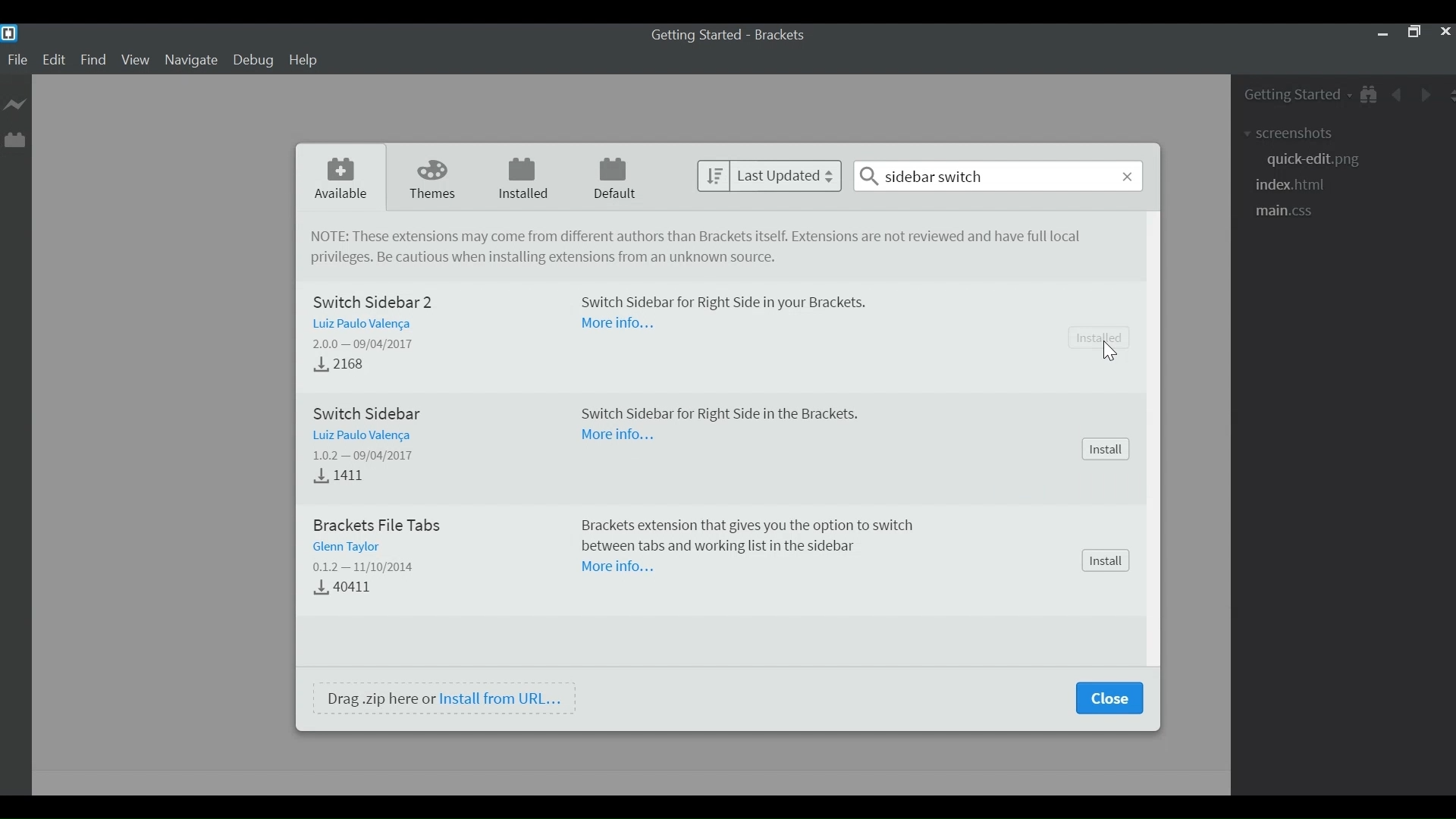  Describe the element at coordinates (362, 568) in the screenshot. I see `0.1.2 — 11/10/2014 ` at that location.